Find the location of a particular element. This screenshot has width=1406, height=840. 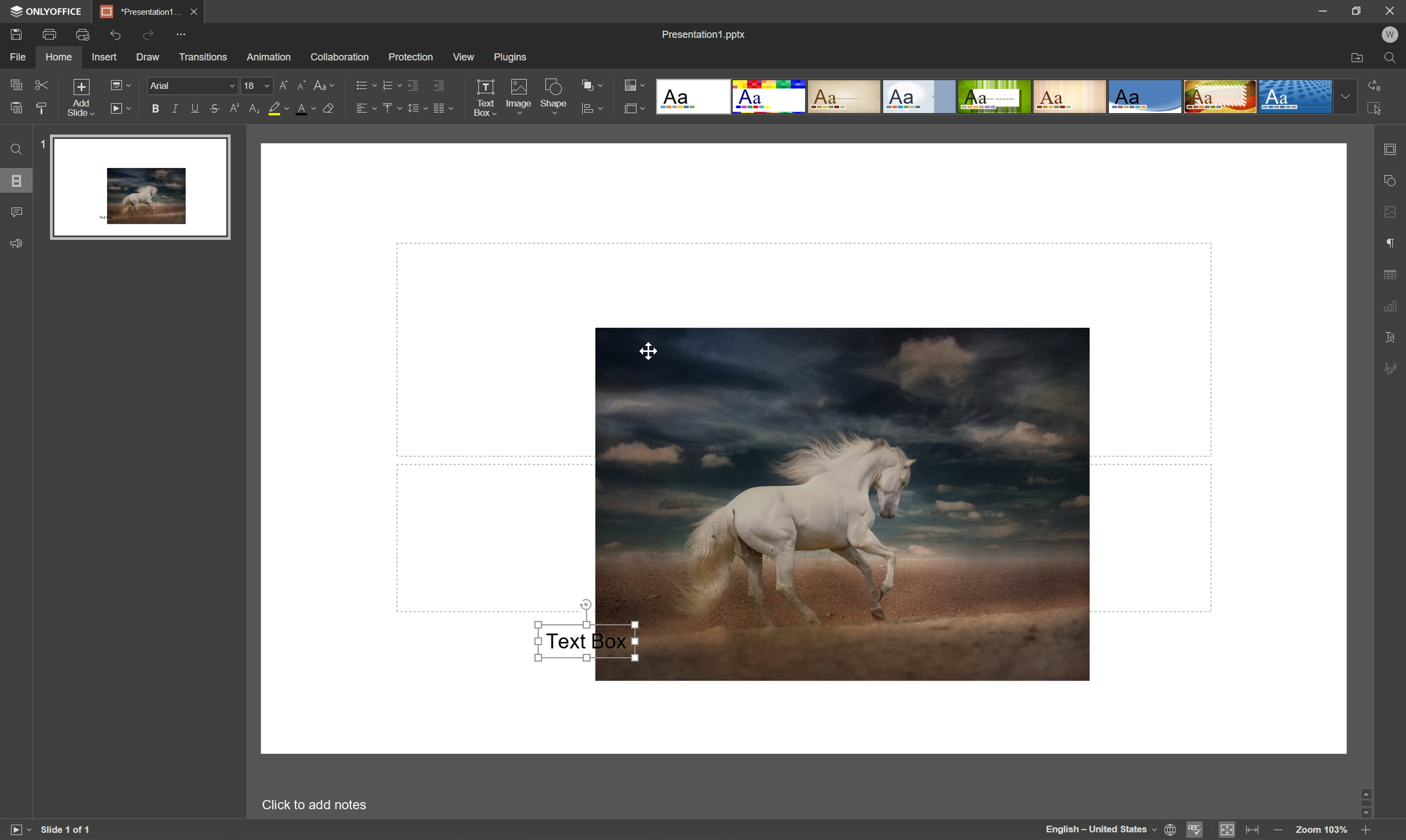

Redo is located at coordinates (151, 34).